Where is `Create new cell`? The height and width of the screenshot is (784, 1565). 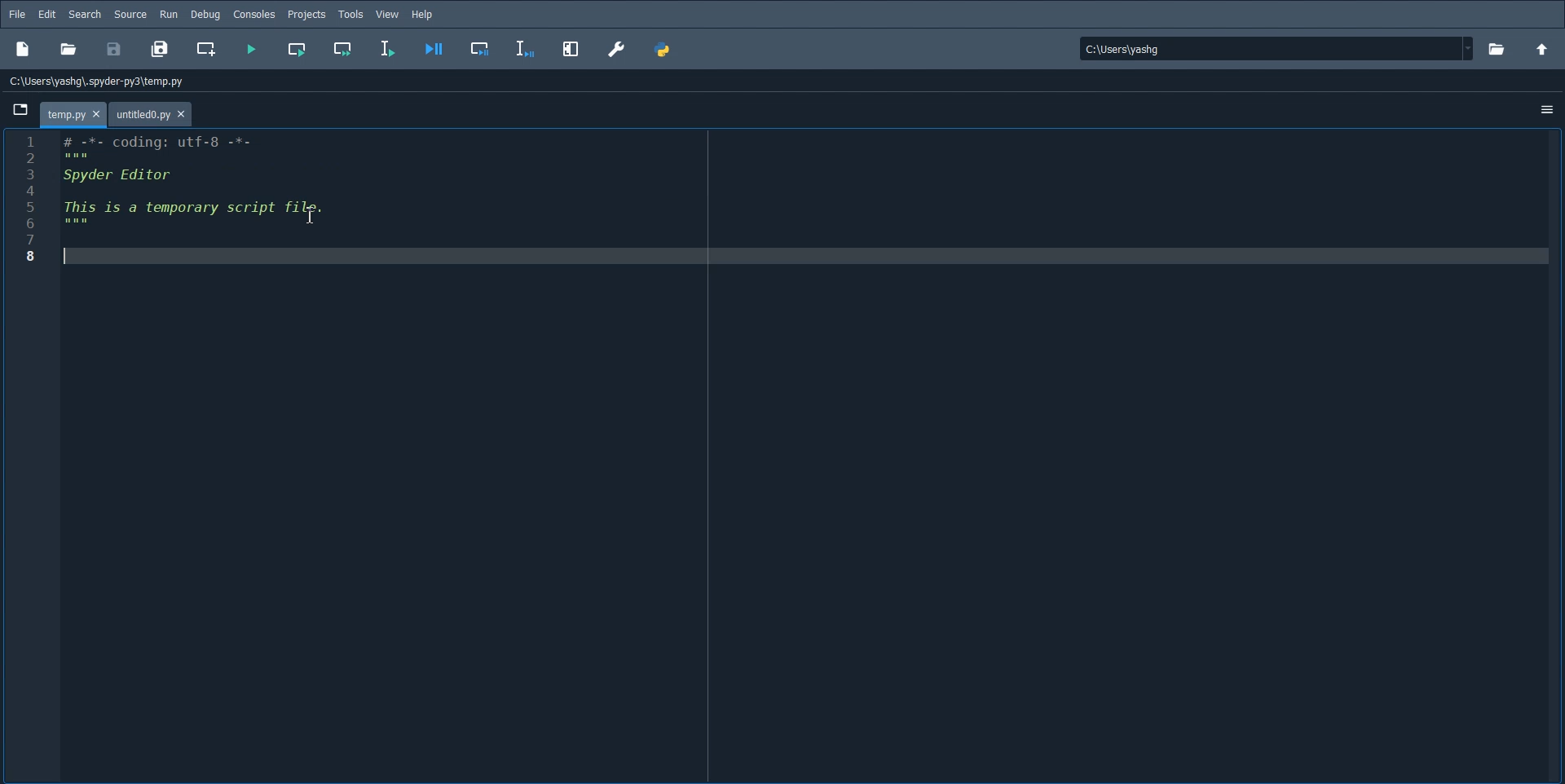 Create new cell is located at coordinates (205, 49).